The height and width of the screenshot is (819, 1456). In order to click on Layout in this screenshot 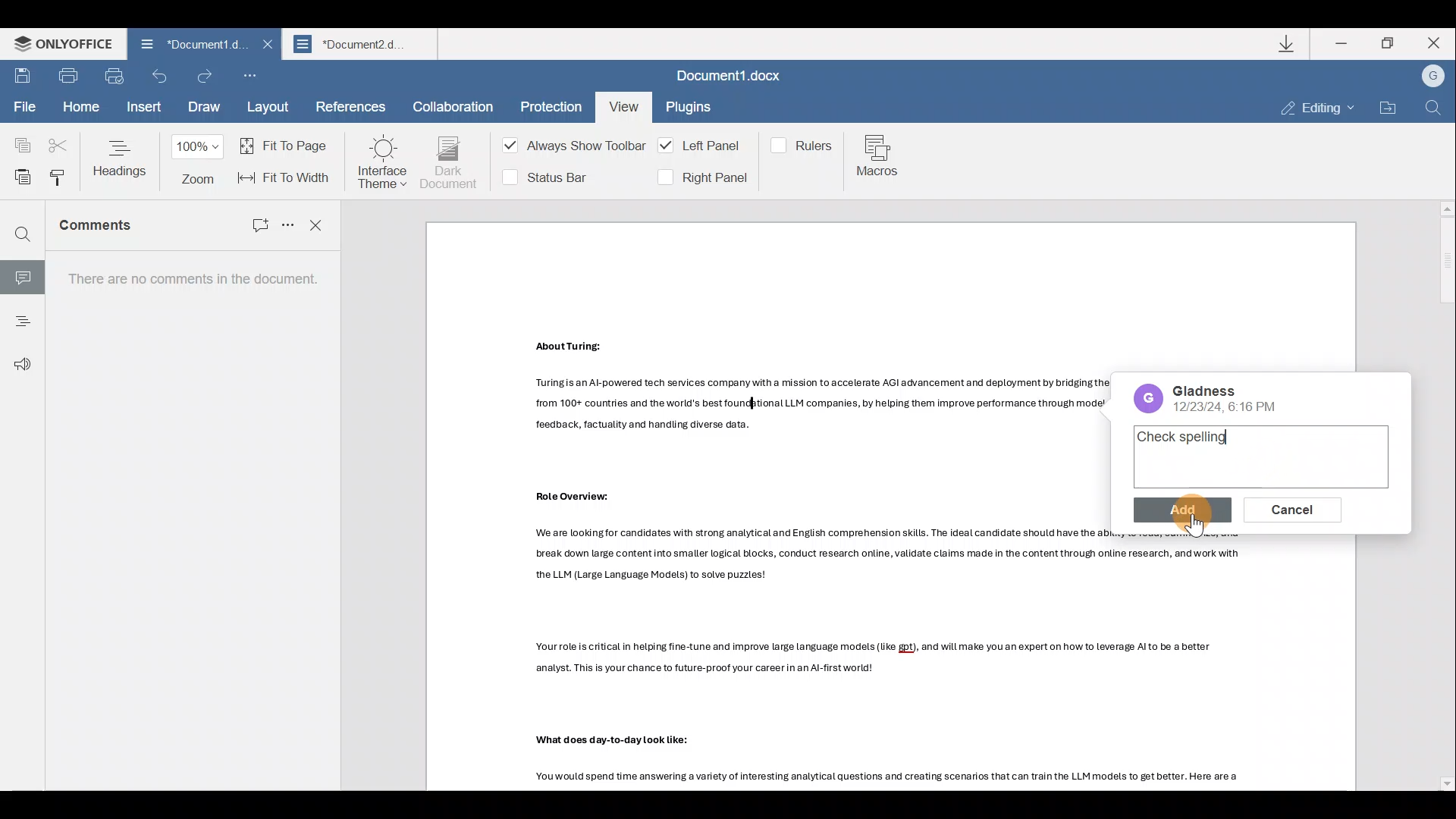, I will do `click(269, 108)`.